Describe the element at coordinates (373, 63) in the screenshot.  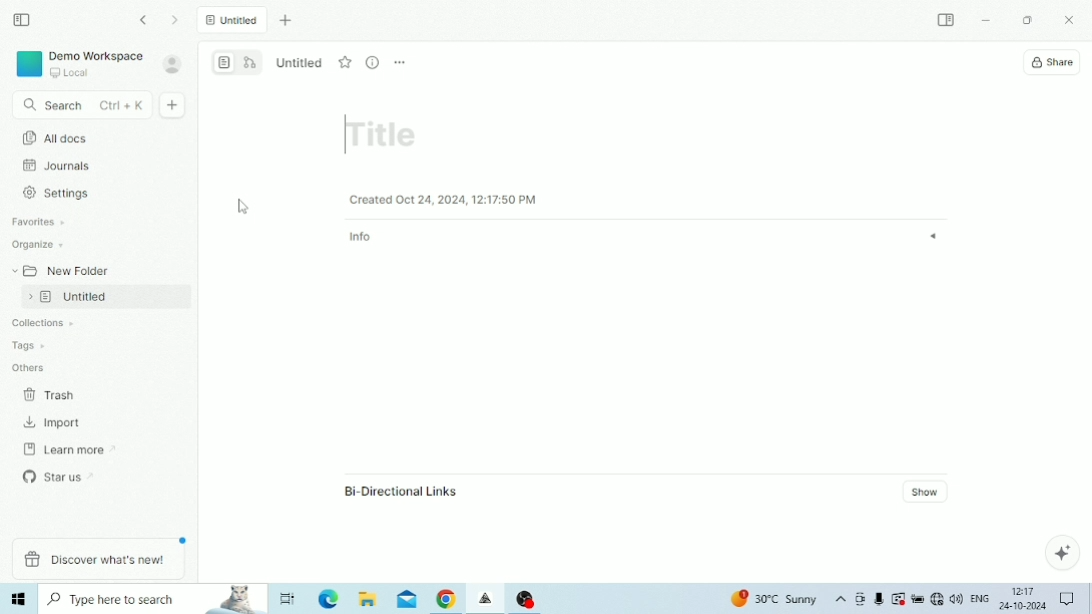
I see `View Info` at that location.